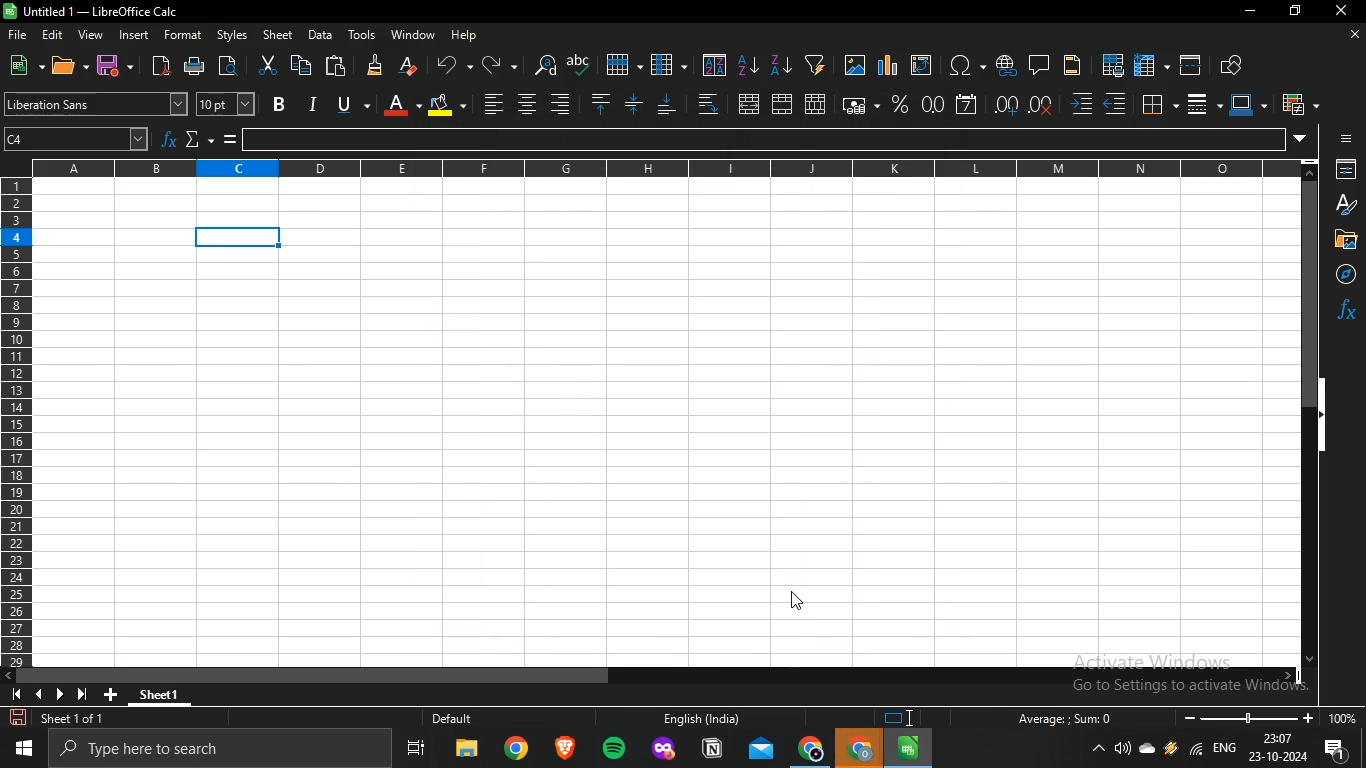 Image resolution: width=1366 pixels, height=768 pixels. I want to click on cut, so click(267, 66).